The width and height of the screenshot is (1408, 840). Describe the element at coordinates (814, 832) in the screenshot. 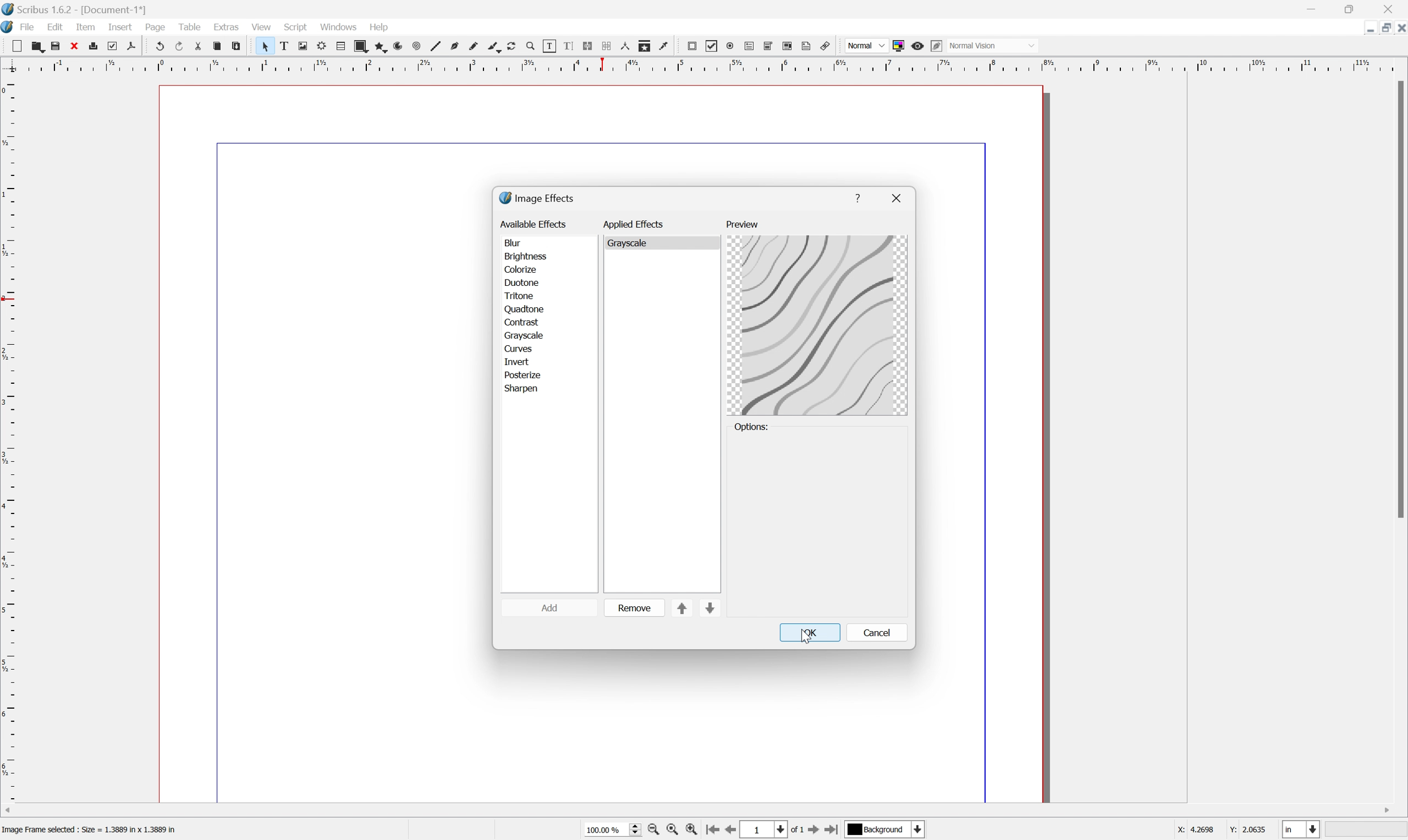

I see `Go to the next page` at that location.